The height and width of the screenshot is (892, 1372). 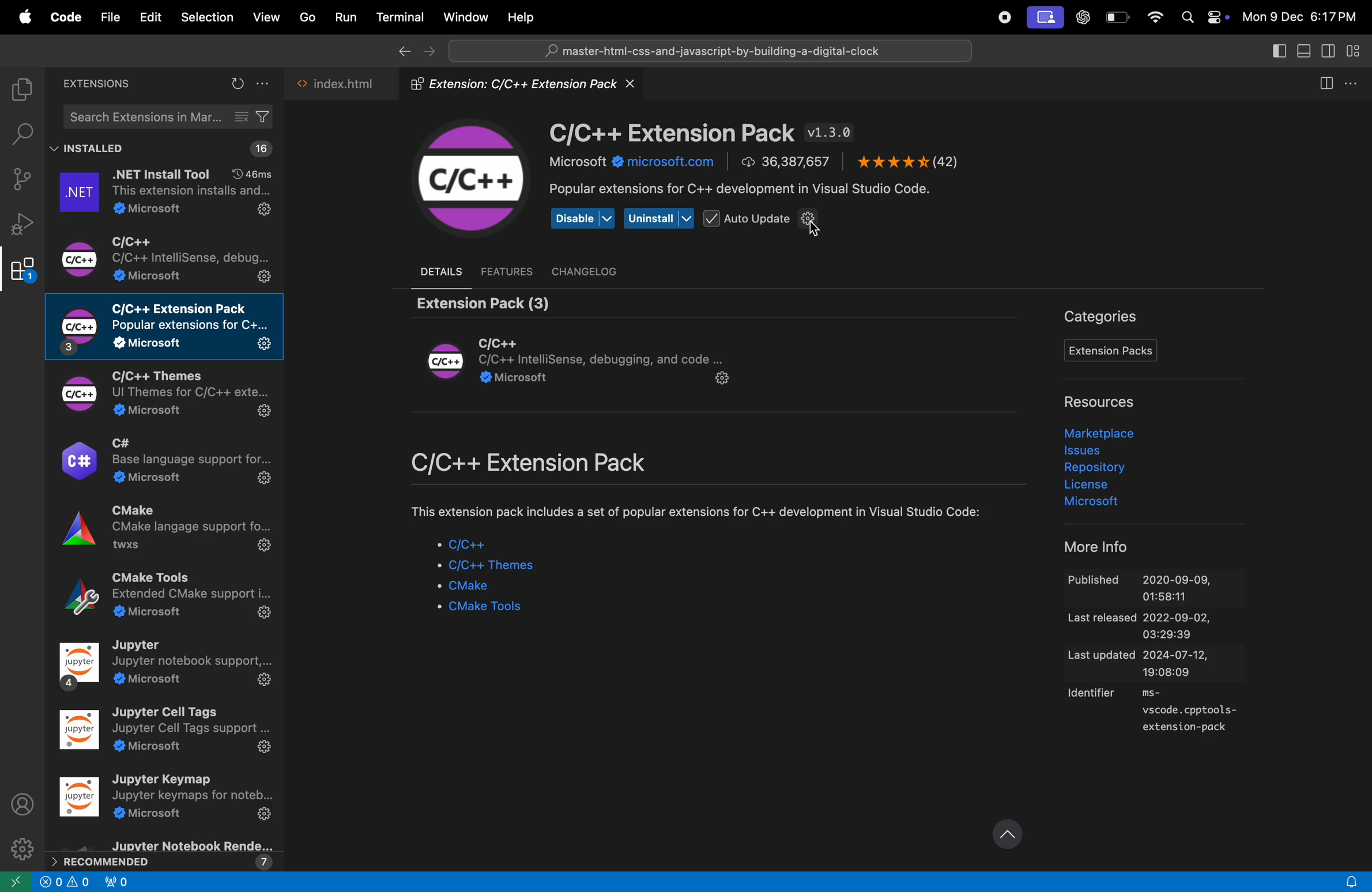 I want to click on C make extensions, so click(x=164, y=535).